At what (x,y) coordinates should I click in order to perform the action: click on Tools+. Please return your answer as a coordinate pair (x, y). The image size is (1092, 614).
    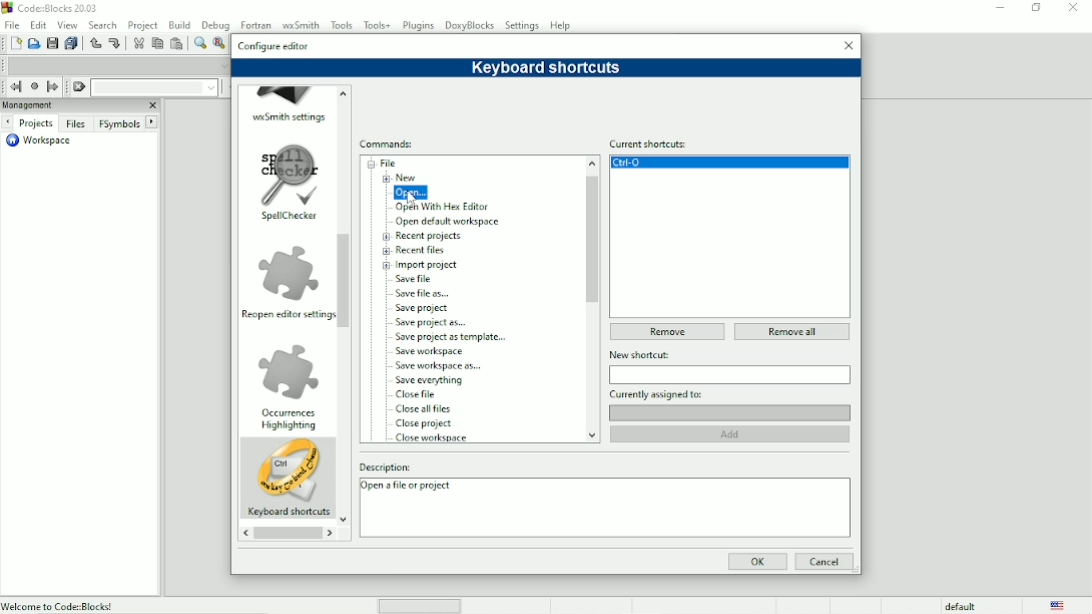
    Looking at the image, I should click on (377, 25).